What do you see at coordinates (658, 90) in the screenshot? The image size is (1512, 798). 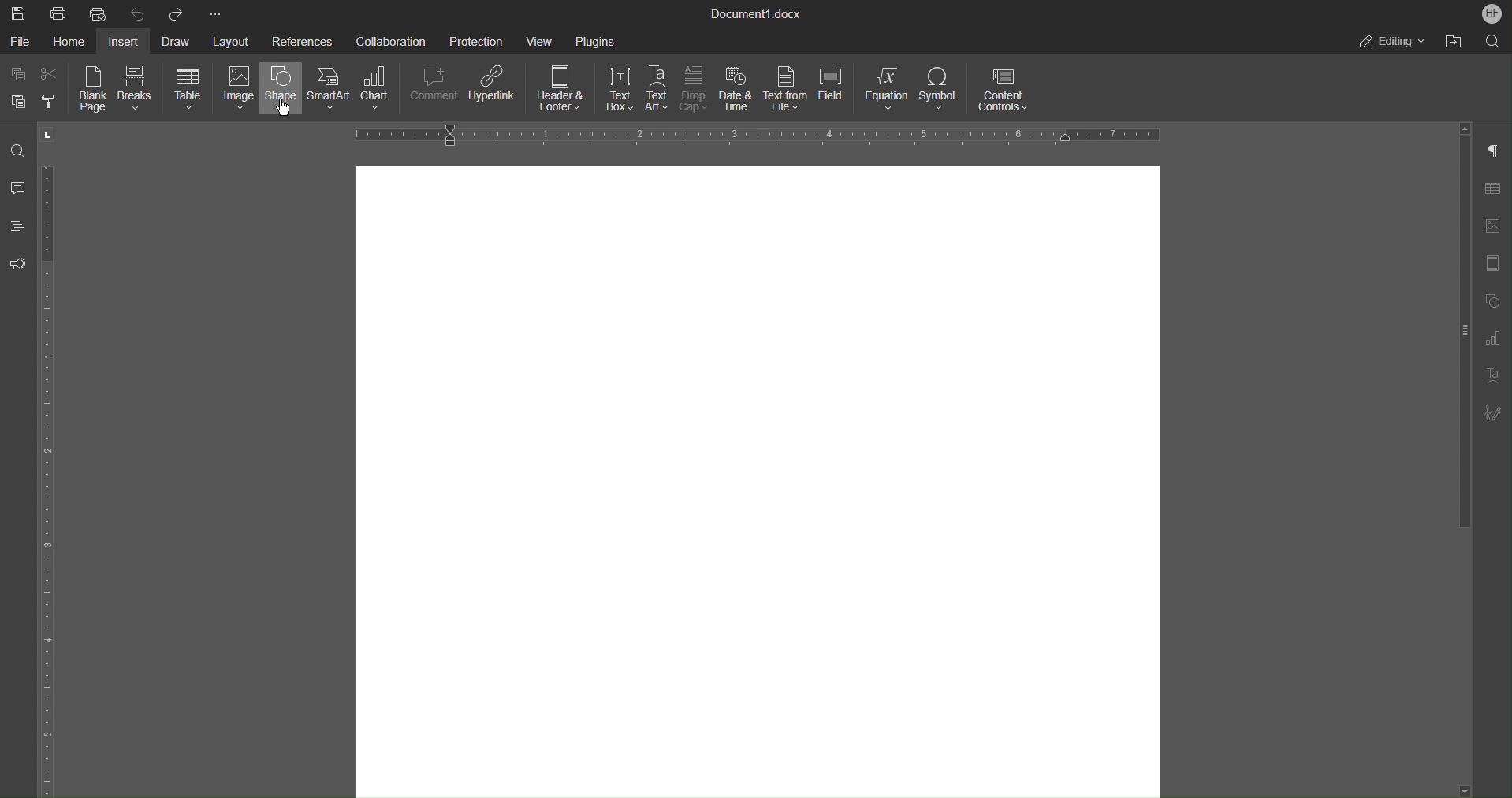 I see `Text Art` at bounding box center [658, 90].